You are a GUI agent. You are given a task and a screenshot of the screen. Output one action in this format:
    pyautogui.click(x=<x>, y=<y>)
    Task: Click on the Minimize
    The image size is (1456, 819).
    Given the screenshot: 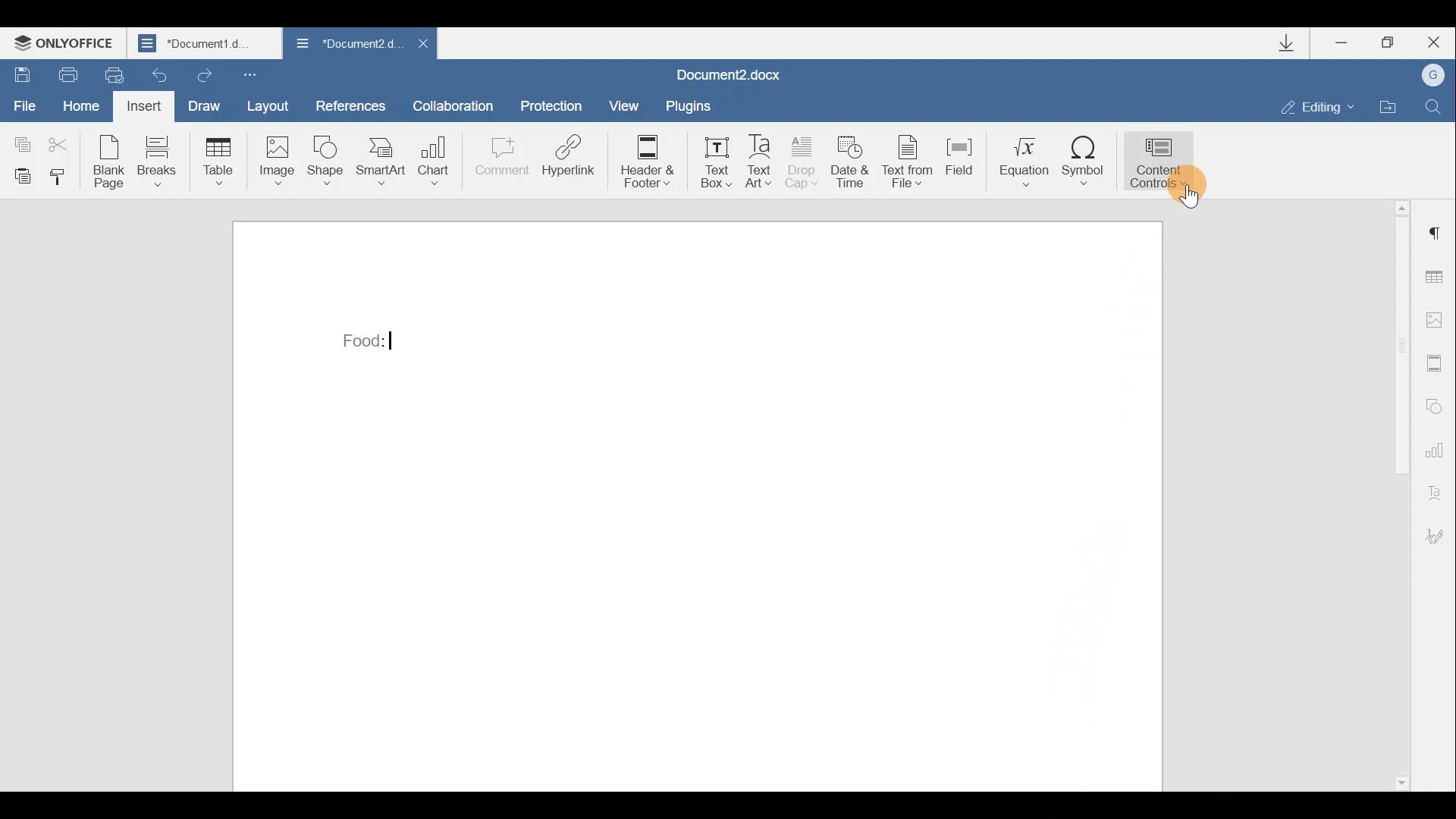 What is the action you would take?
    pyautogui.click(x=1348, y=45)
    